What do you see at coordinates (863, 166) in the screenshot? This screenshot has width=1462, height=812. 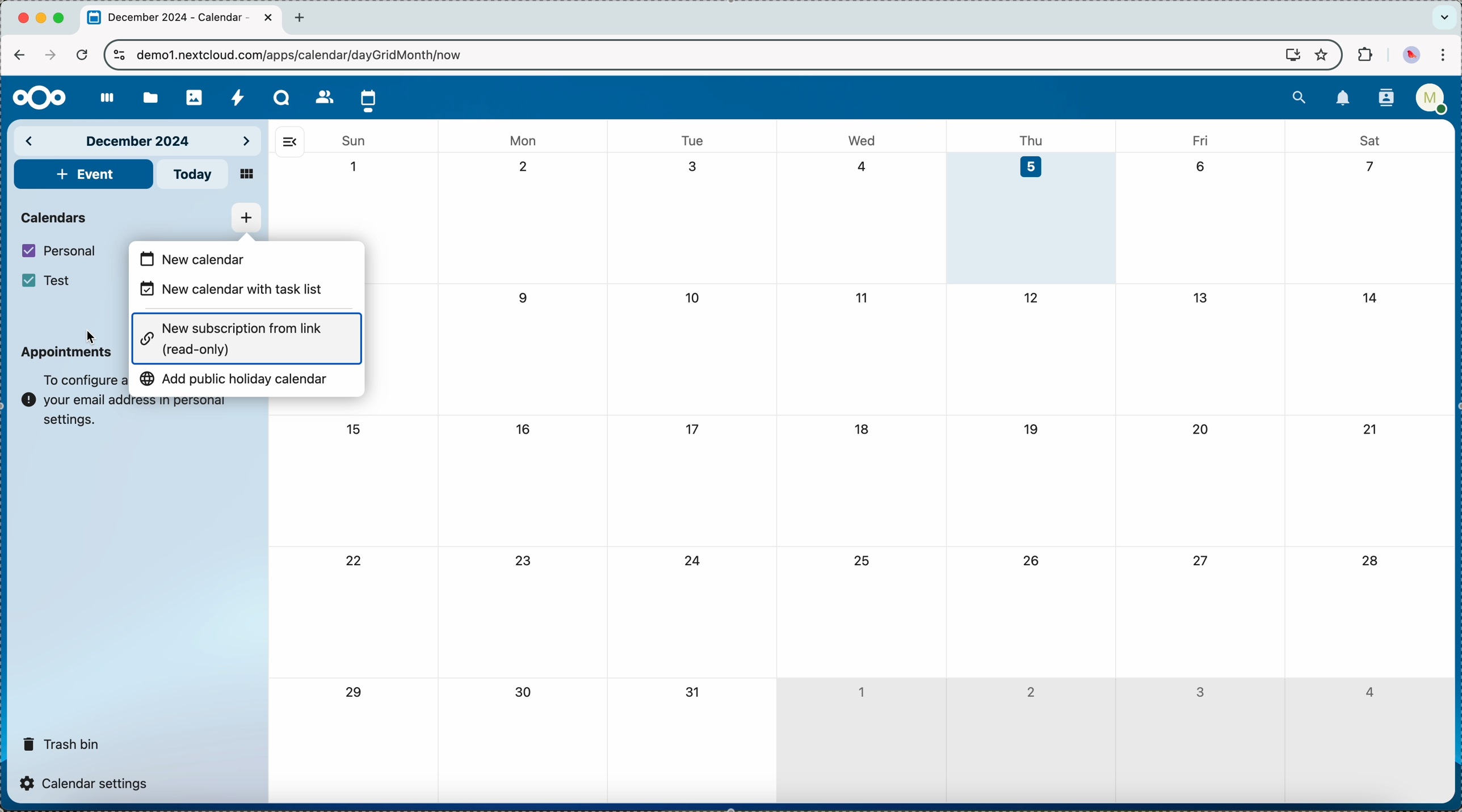 I see `4` at bounding box center [863, 166].